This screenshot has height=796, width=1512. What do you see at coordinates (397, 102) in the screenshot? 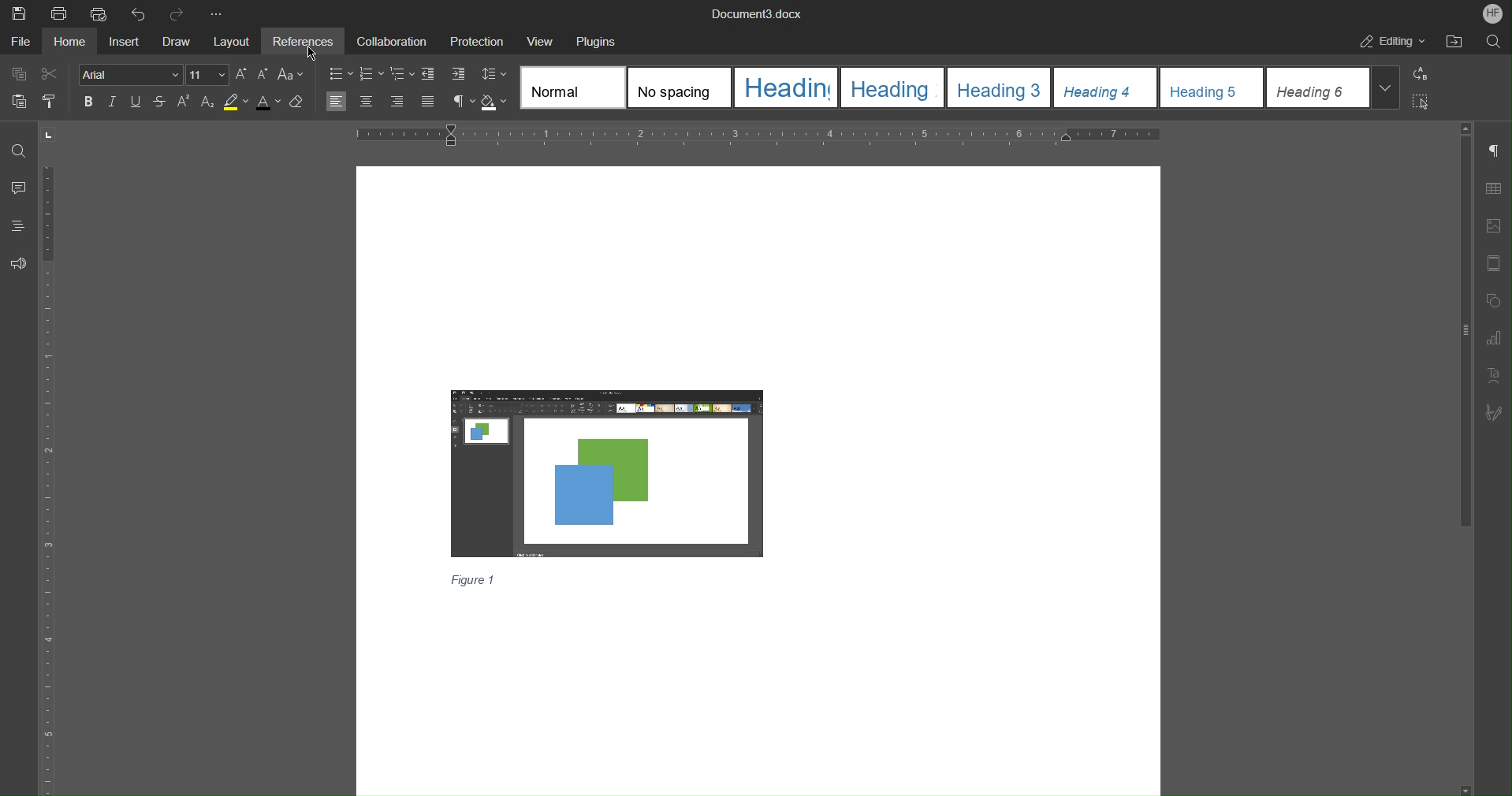
I see `Align right` at bounding box center [397, 102].